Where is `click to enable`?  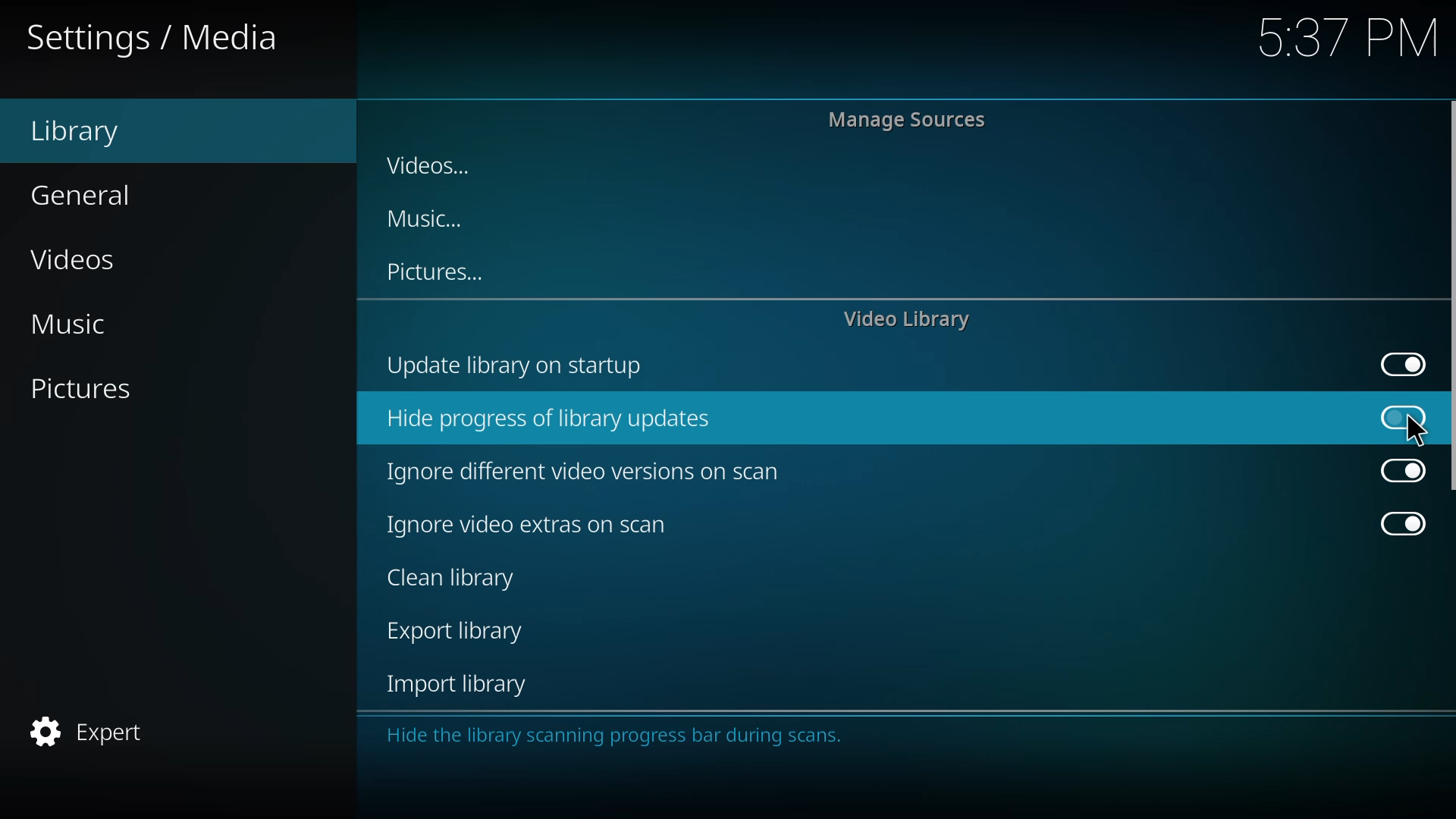 click to enable is located at coordinates (1395, 416).